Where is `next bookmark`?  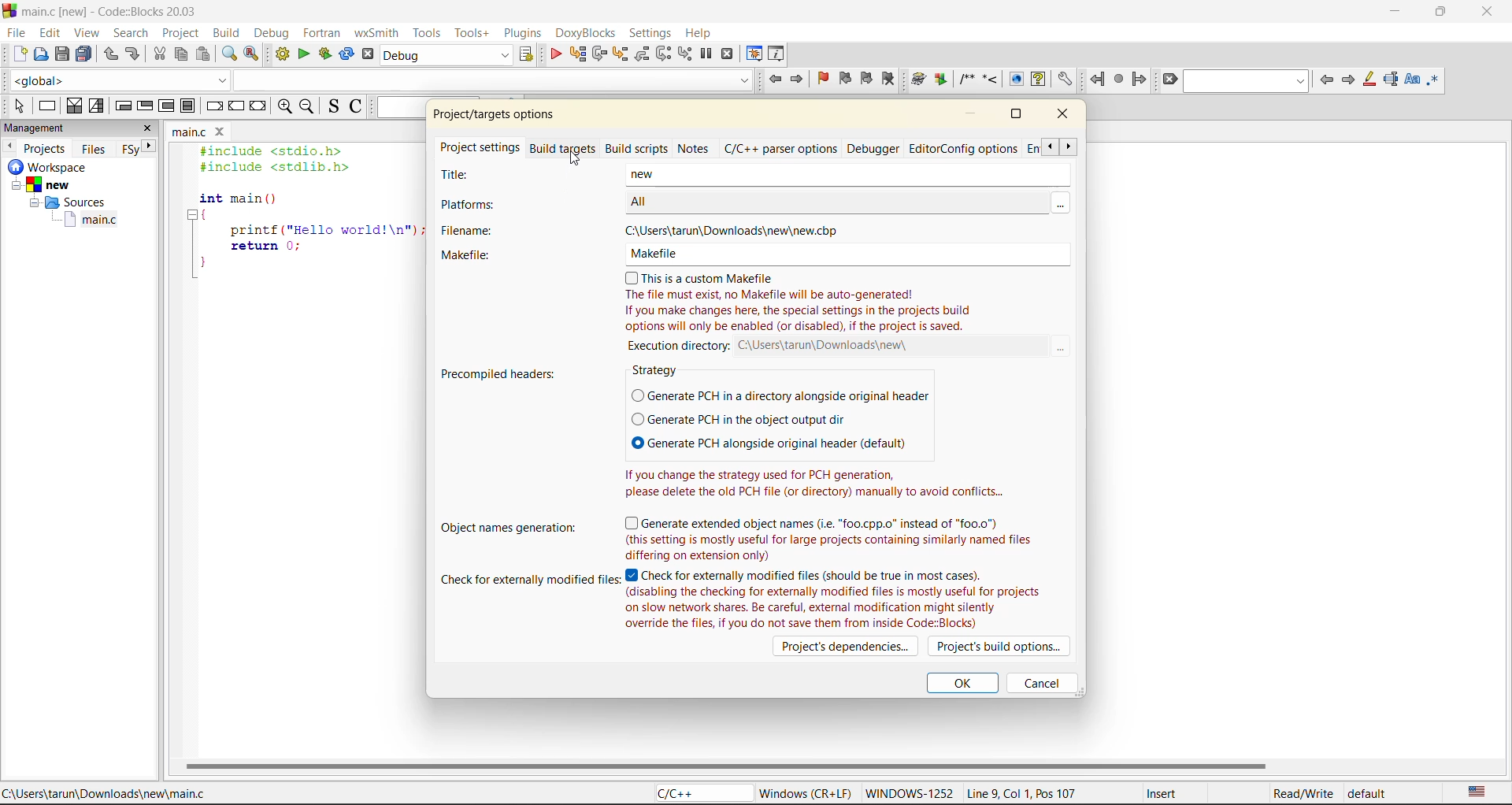 next bookmark is located at coordinates (865, 77).